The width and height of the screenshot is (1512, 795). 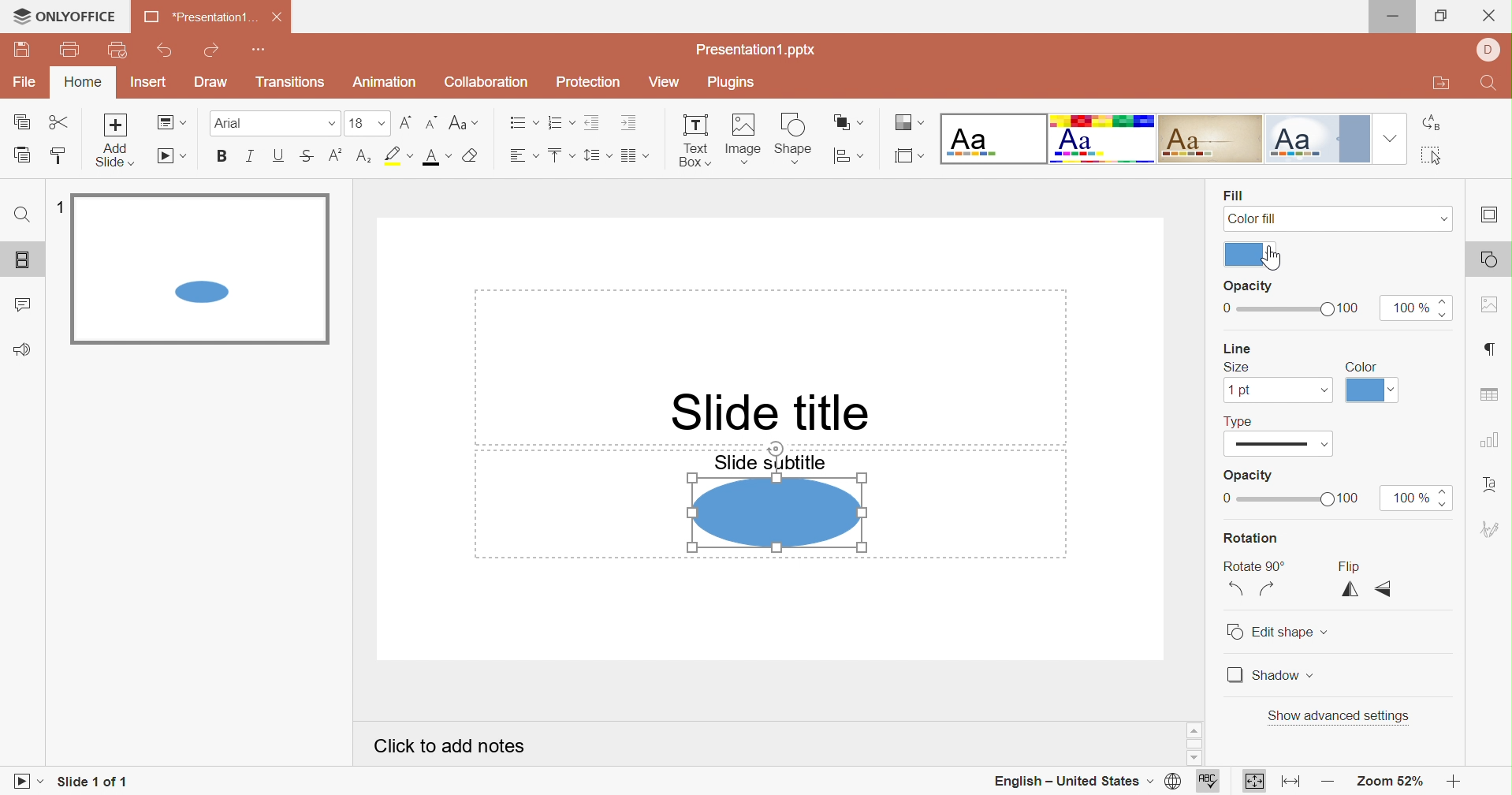 What do you see at coordinates (473, 156) in the screenshot?
I see `Clear style` at bounding box center [473, 156].